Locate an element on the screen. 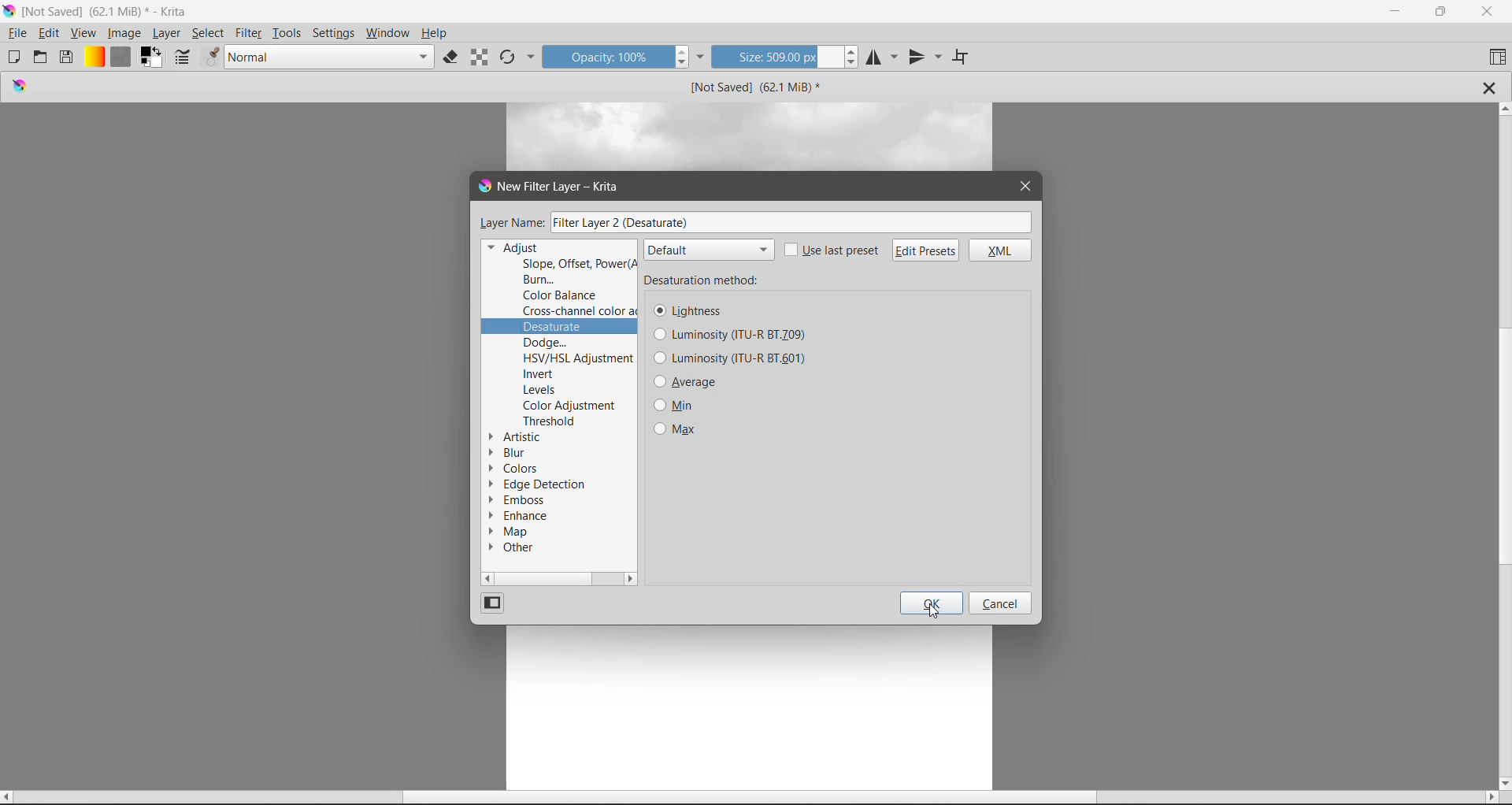 The height and width of the screenshot is (805, 1512). Horizontal Mirror Tool is located at coordinates (882, 58).